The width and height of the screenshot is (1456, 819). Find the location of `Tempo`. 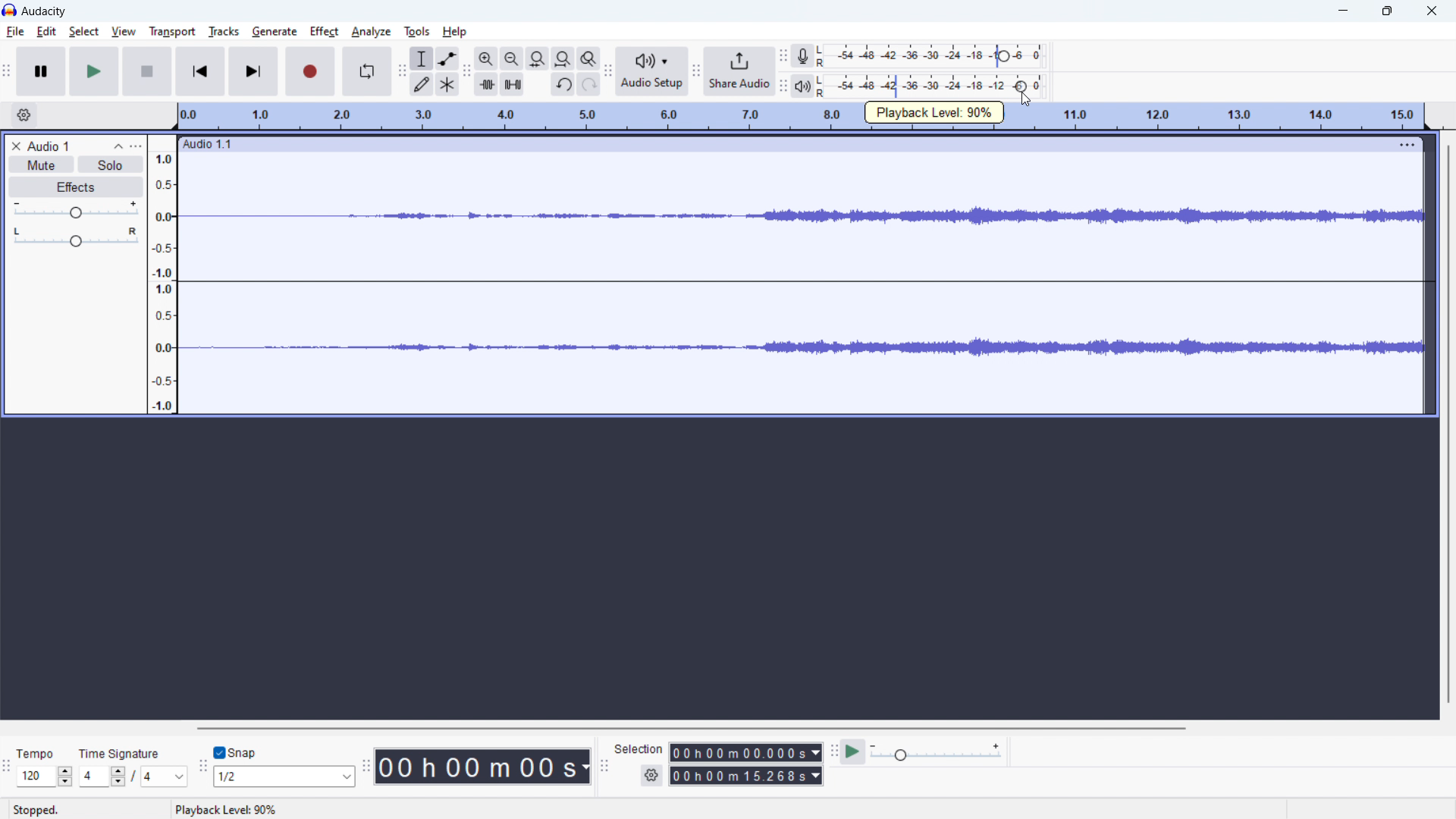

Tempo is located at coordinates (39, 752).